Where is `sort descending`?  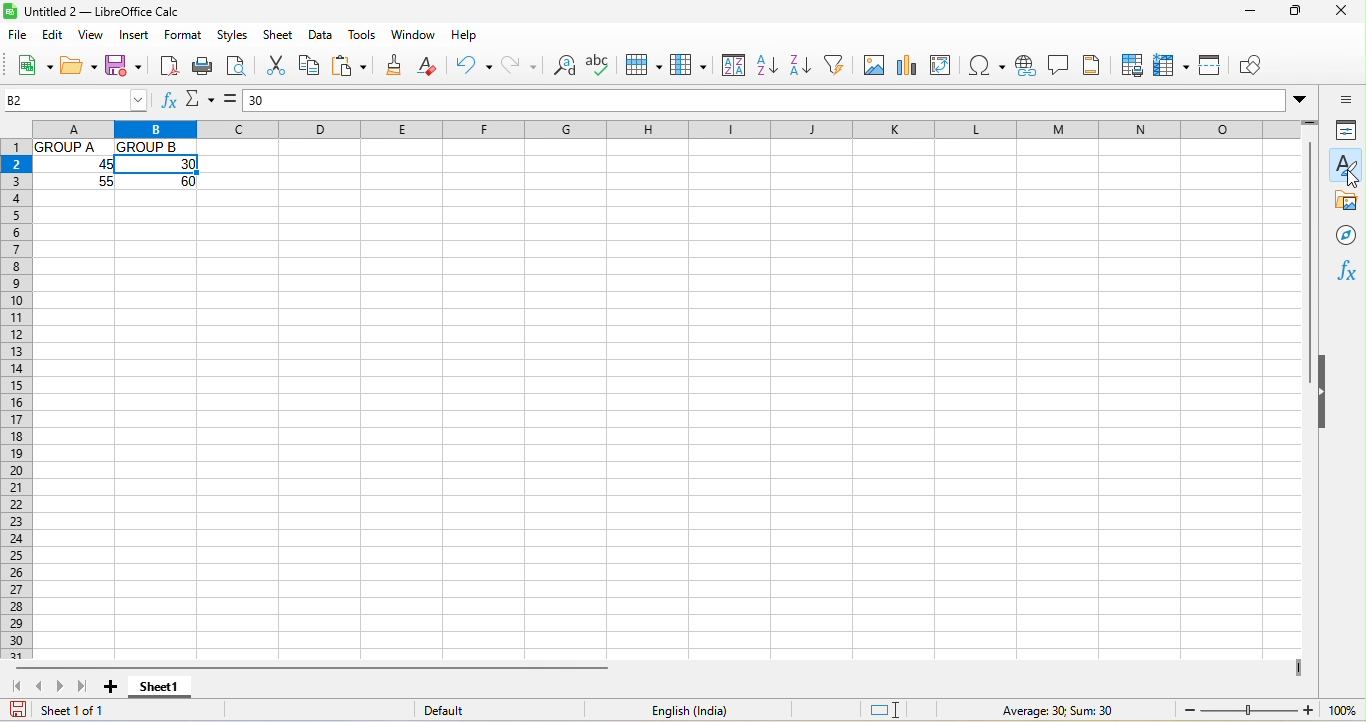 sort descending is located at coordinates (806, 64).